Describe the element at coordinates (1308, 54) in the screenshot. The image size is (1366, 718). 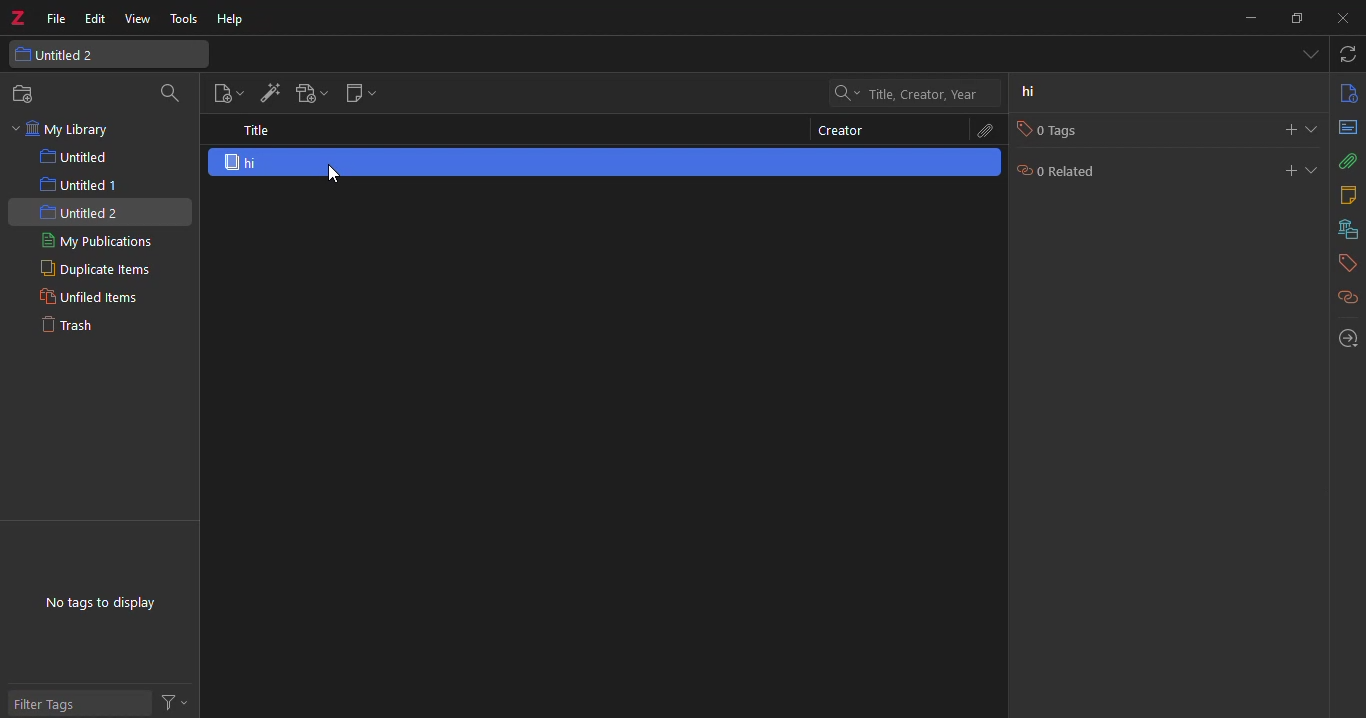
I see `tabs` at that location.